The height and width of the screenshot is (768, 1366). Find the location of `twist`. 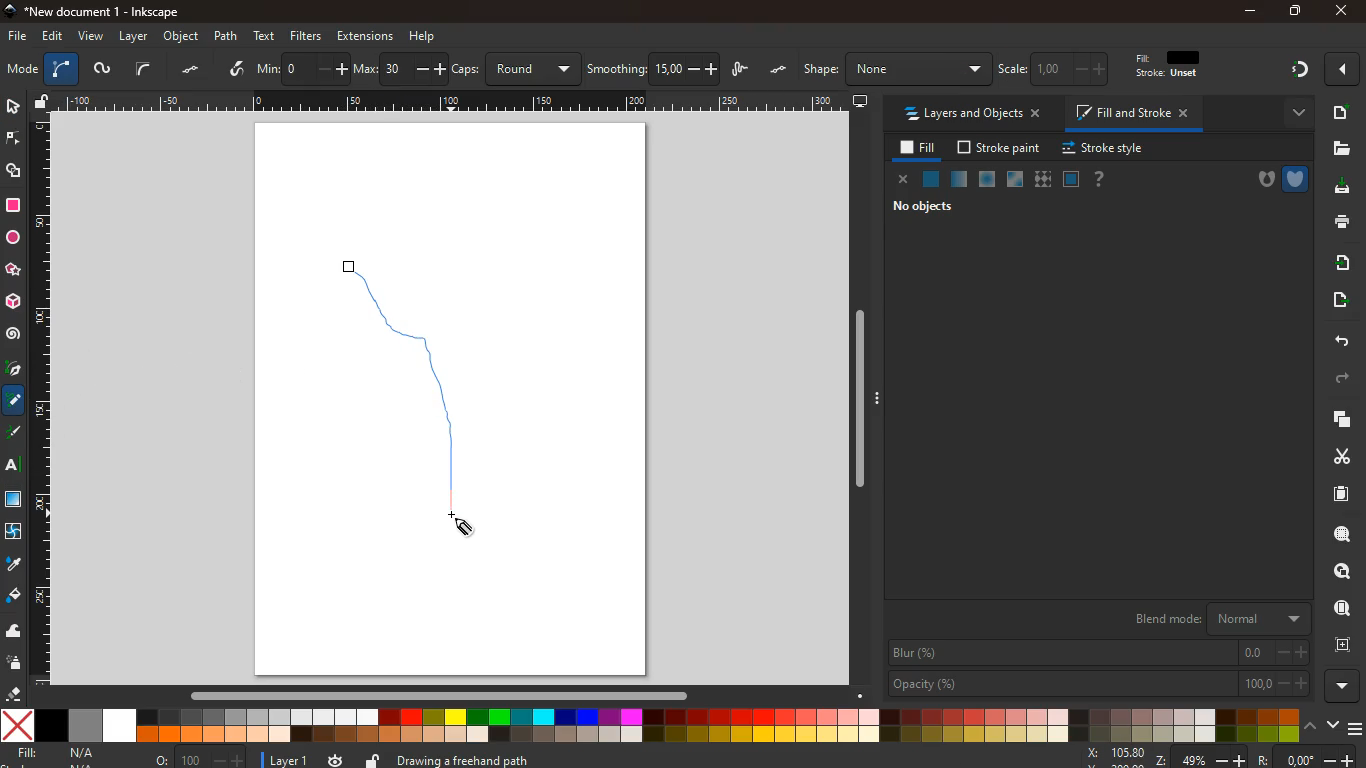

twist is located at coordinates (15, 532).